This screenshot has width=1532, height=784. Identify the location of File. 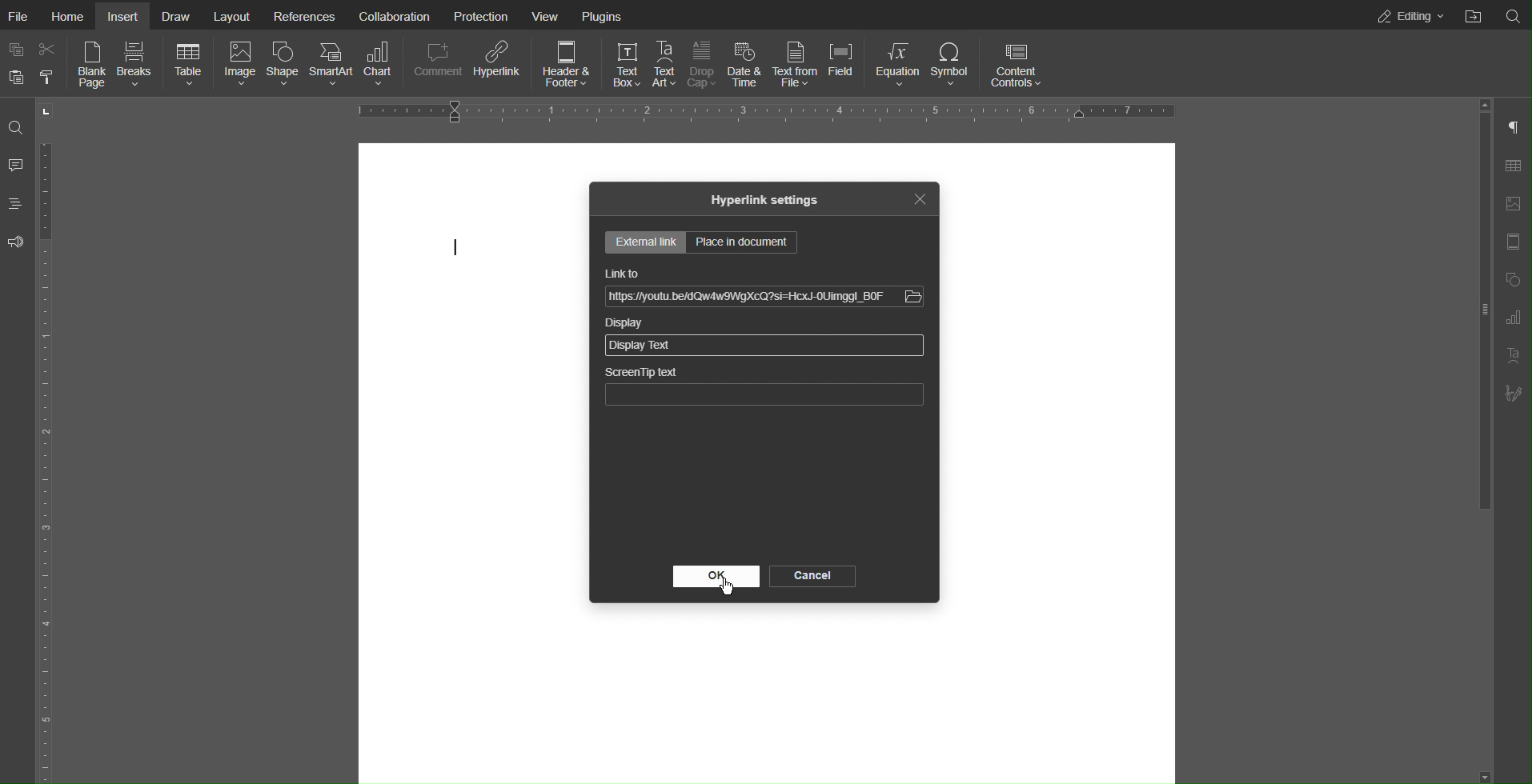
(22, 16).